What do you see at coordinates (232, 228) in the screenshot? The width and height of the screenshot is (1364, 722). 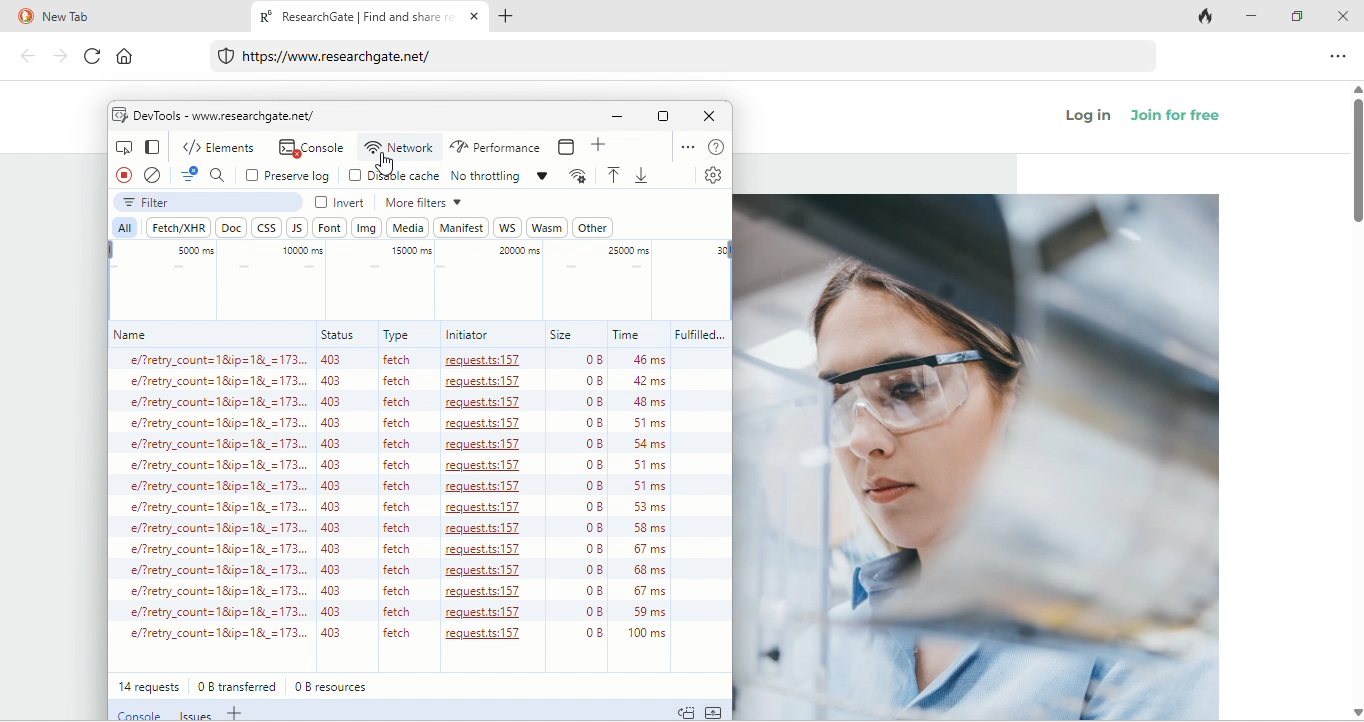 I see `doc` at bounding box center [232, 228].